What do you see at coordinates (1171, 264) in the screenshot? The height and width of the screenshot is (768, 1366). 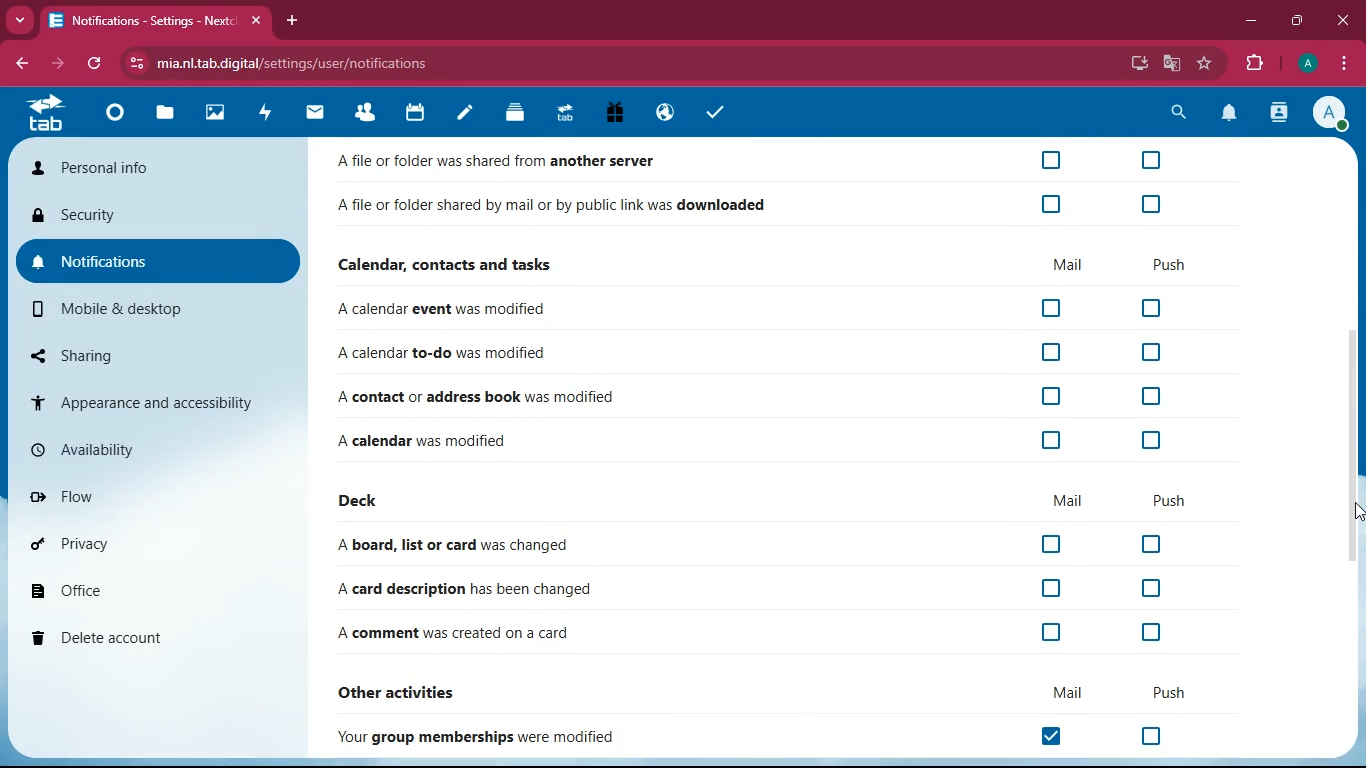 I see `push` at bounding box center [1171, 264].